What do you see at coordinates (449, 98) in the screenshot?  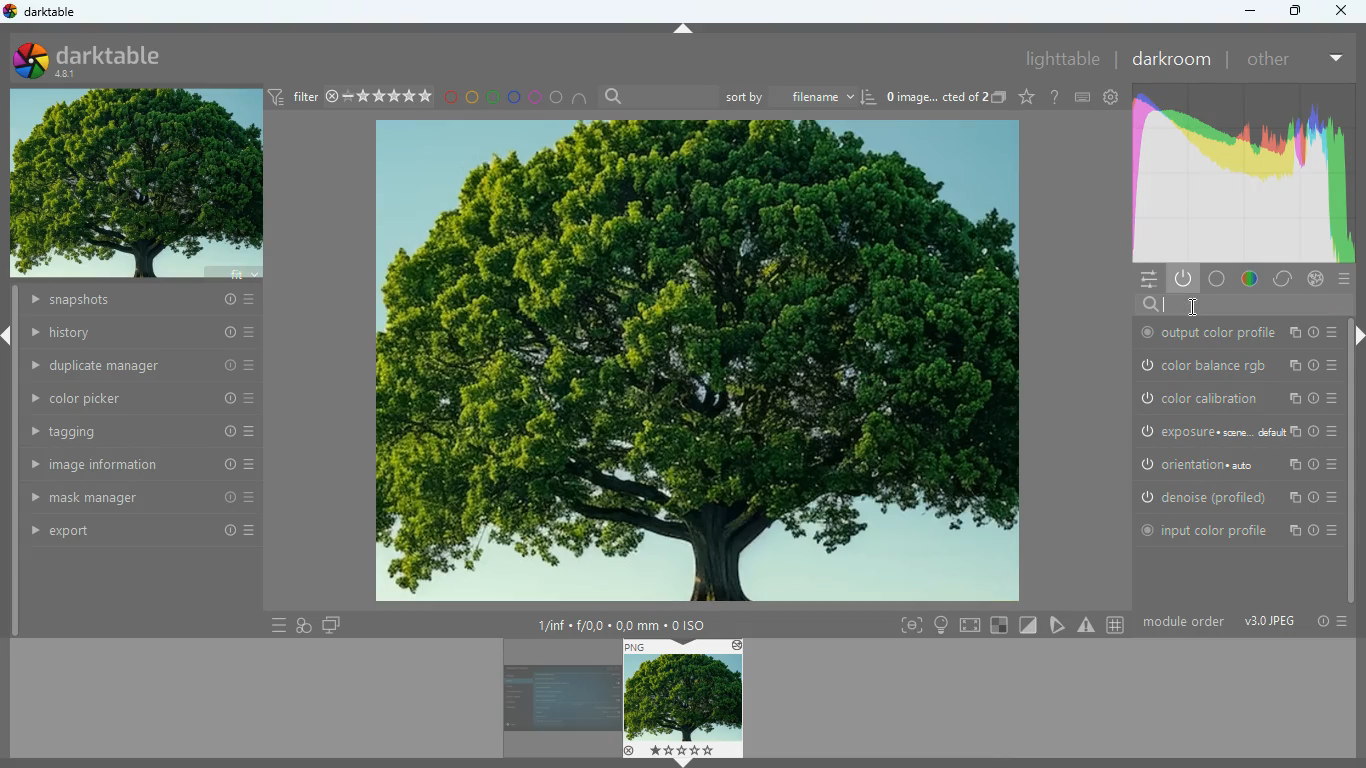 I see `red` at bounding box center [449, 98].